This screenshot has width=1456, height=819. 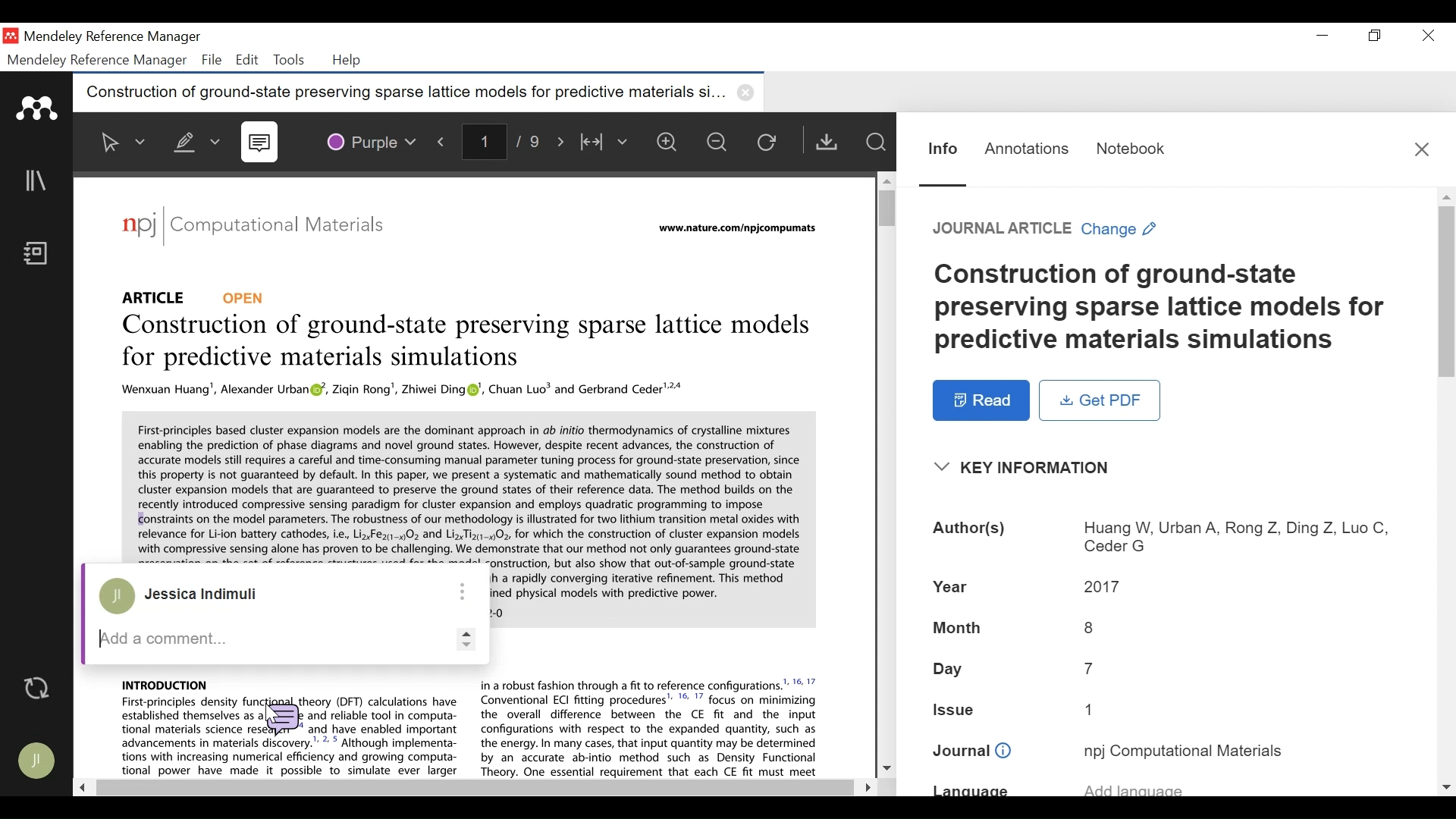 I want to click on Current Tab, so click(x=419, y=93).